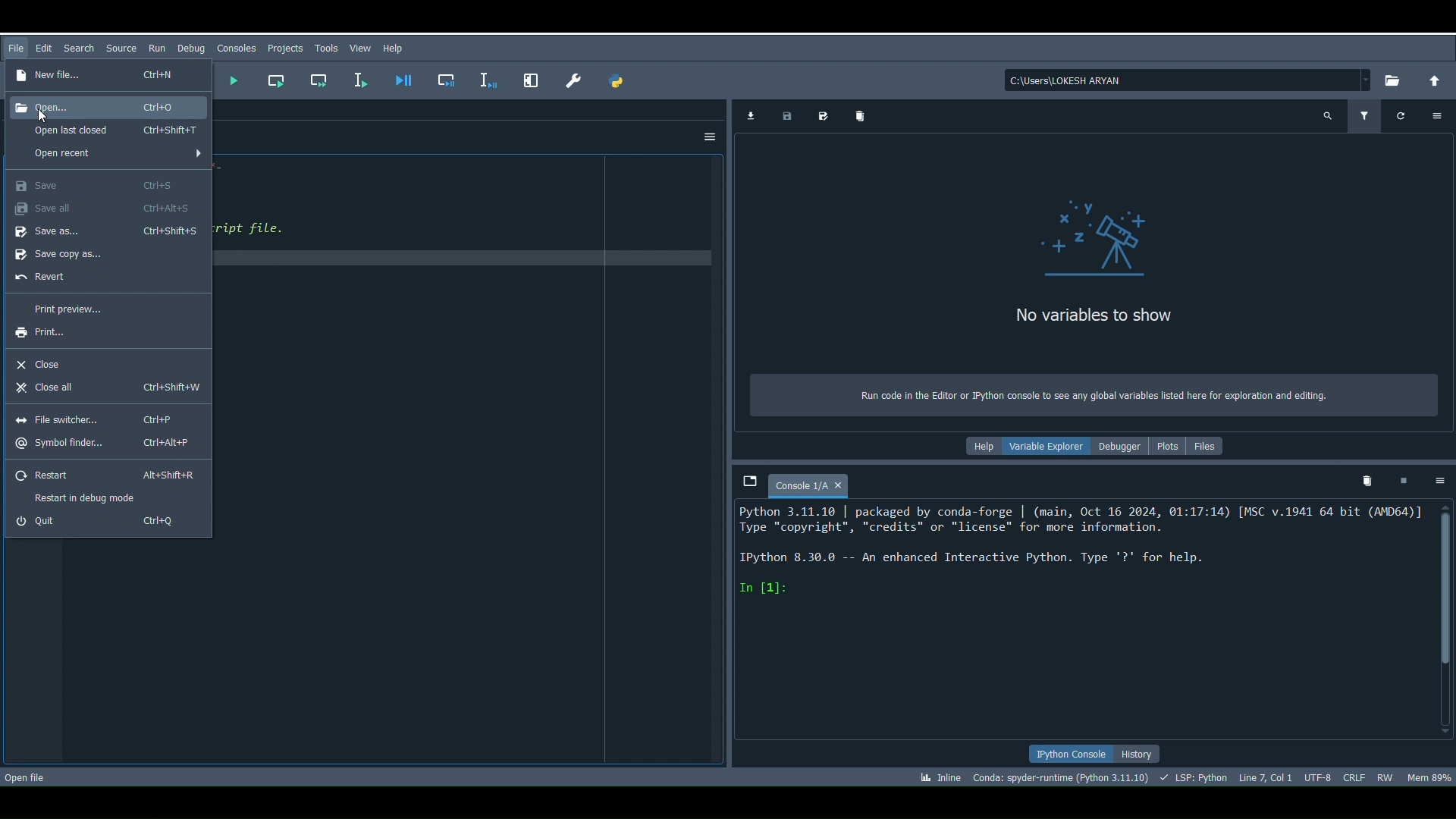  Describe the element at coordinates (42, 115) in the screenshot. I see `Cursor` at that location.